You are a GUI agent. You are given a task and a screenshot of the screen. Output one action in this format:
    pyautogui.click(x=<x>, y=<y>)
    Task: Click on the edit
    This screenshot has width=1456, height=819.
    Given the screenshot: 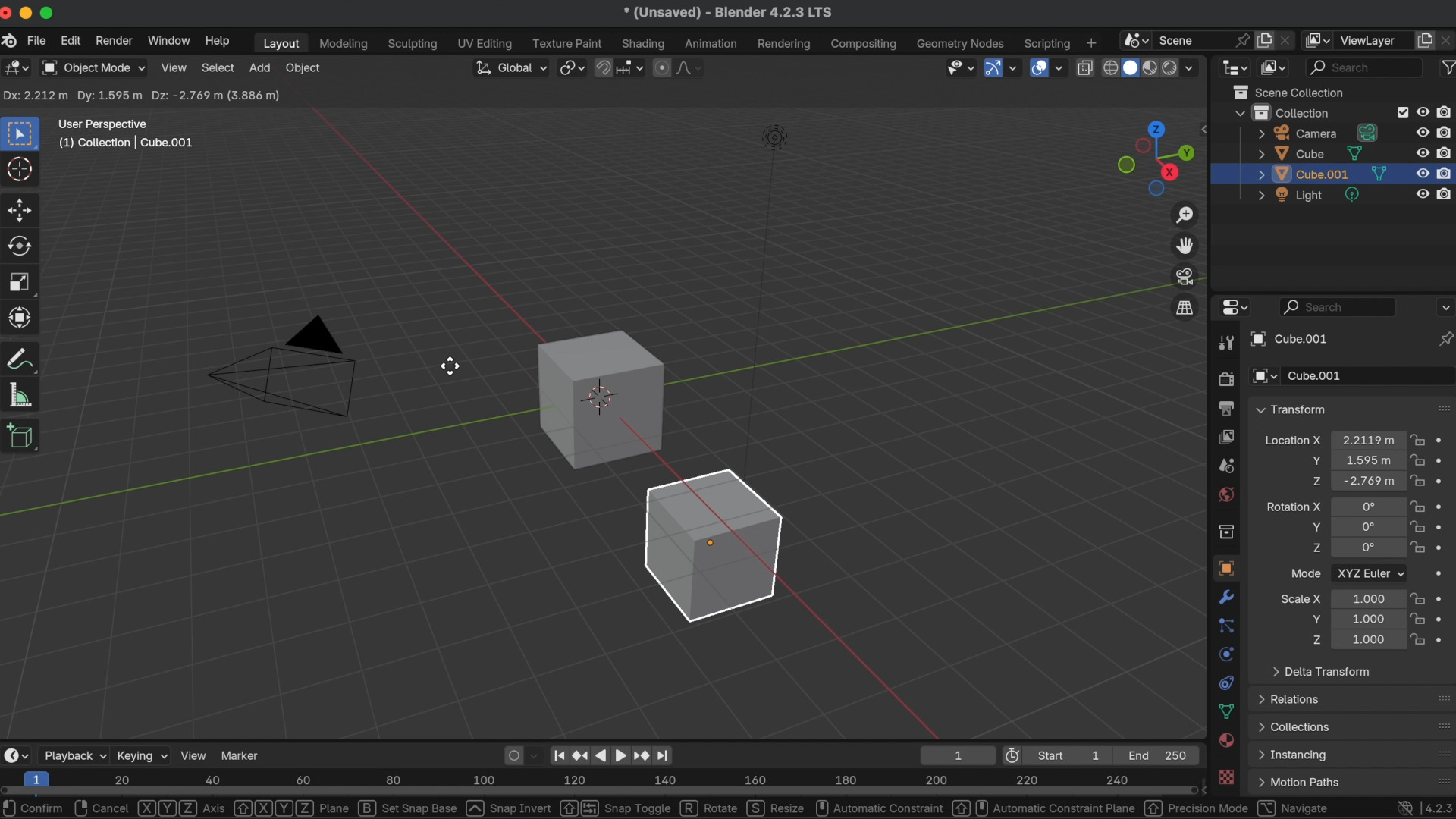 What is the action you would take?
    pyautogui.click(x=71, y=42)
    